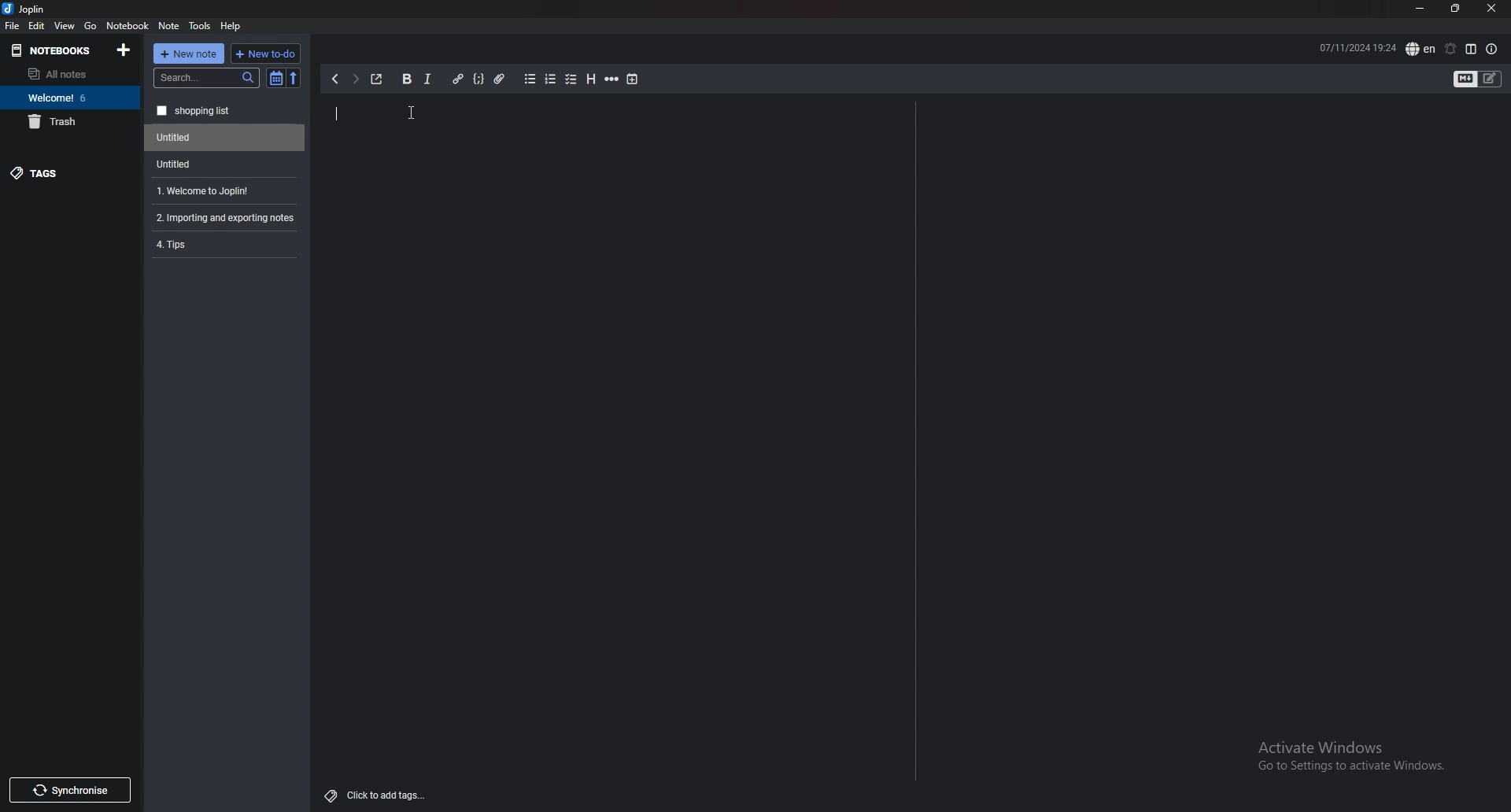 This screenshot has width=1511, height=812. I want to click on all notes, so click(67, 74).